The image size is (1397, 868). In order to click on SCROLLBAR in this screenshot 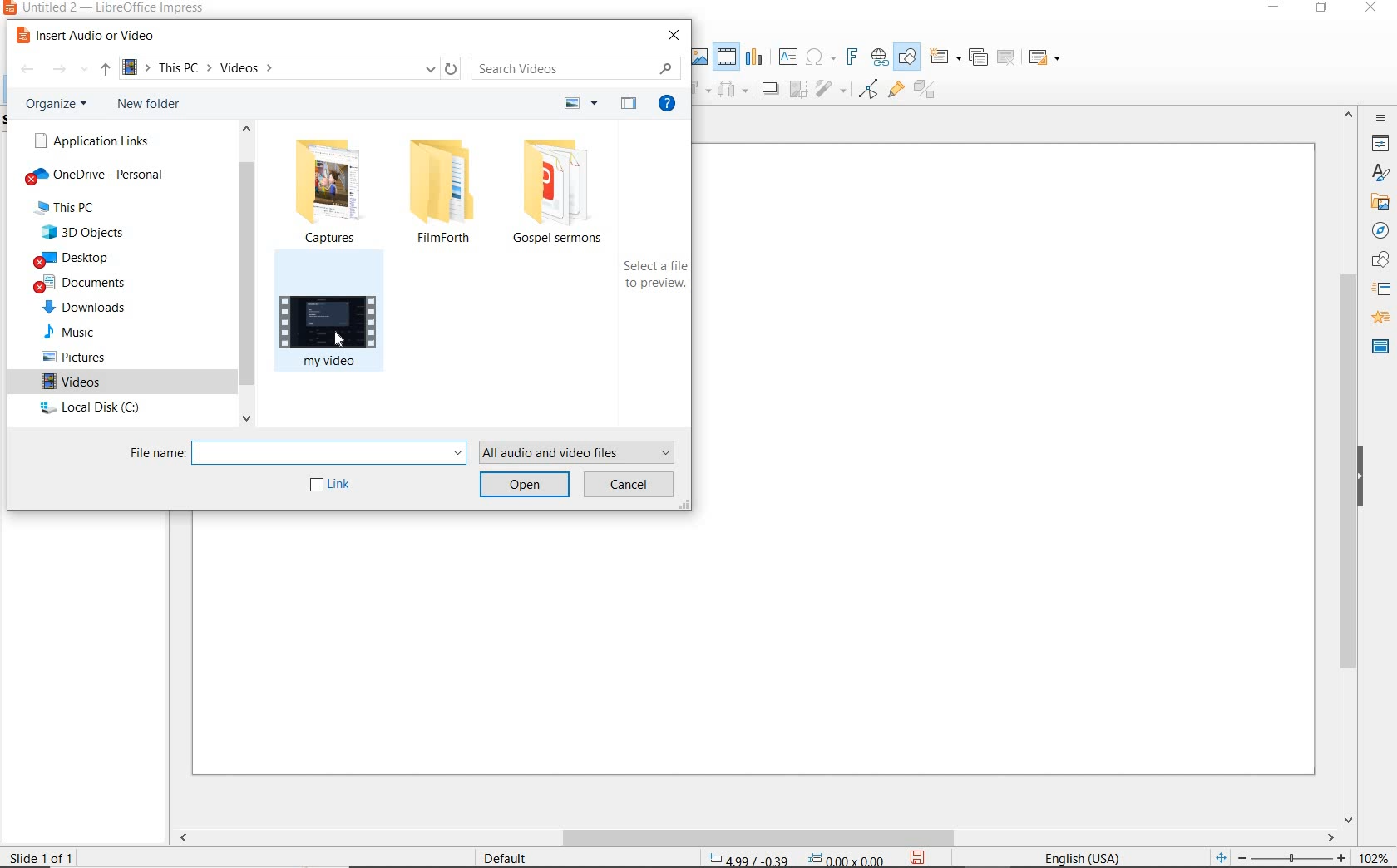, I will do `click(1347, 466)`.